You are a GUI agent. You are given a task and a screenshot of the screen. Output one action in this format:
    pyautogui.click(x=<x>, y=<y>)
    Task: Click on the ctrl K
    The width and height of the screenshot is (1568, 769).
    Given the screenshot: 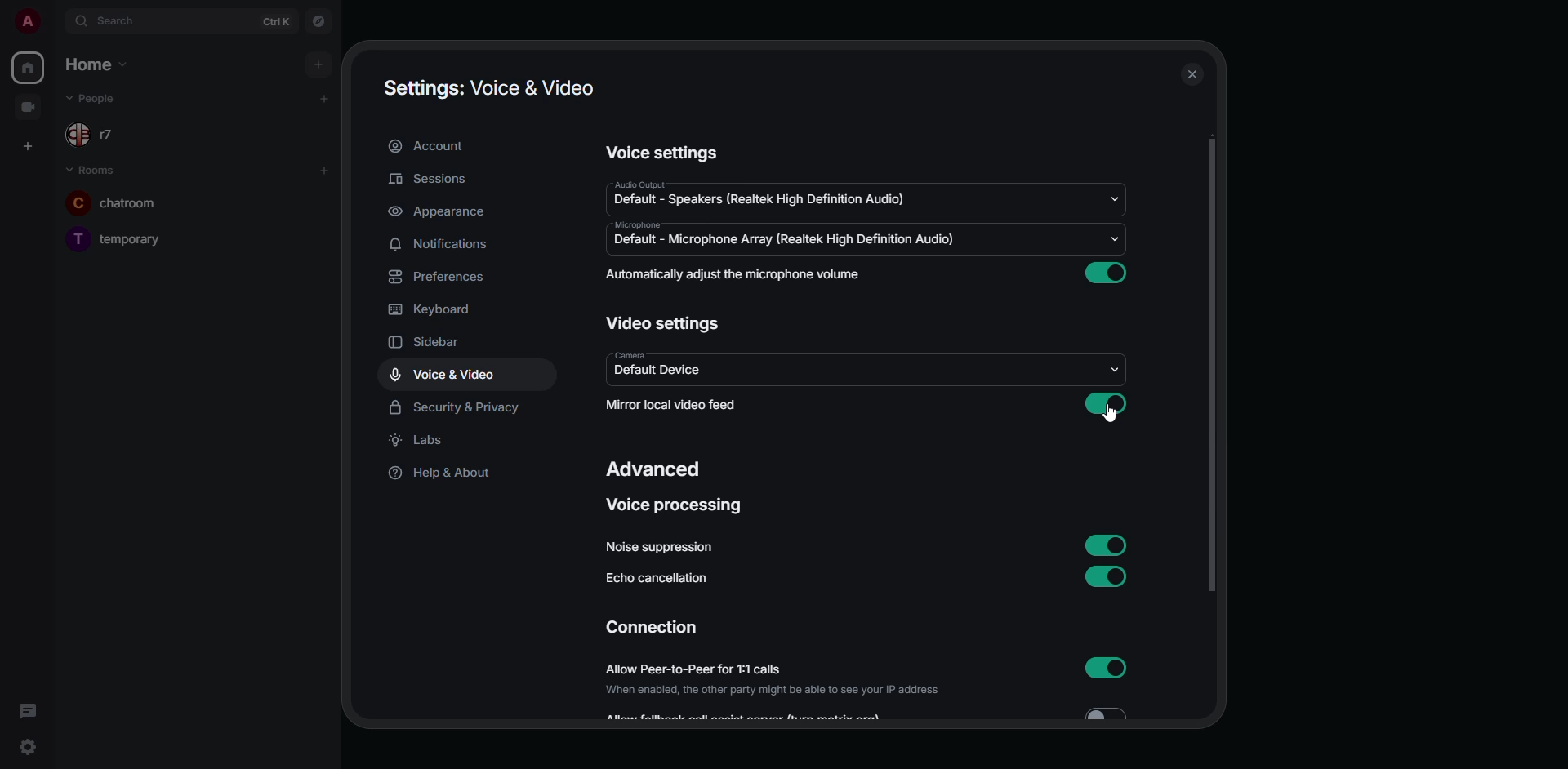 What is the action you would take?
    pyautogui.click(x=275, y=21)
    